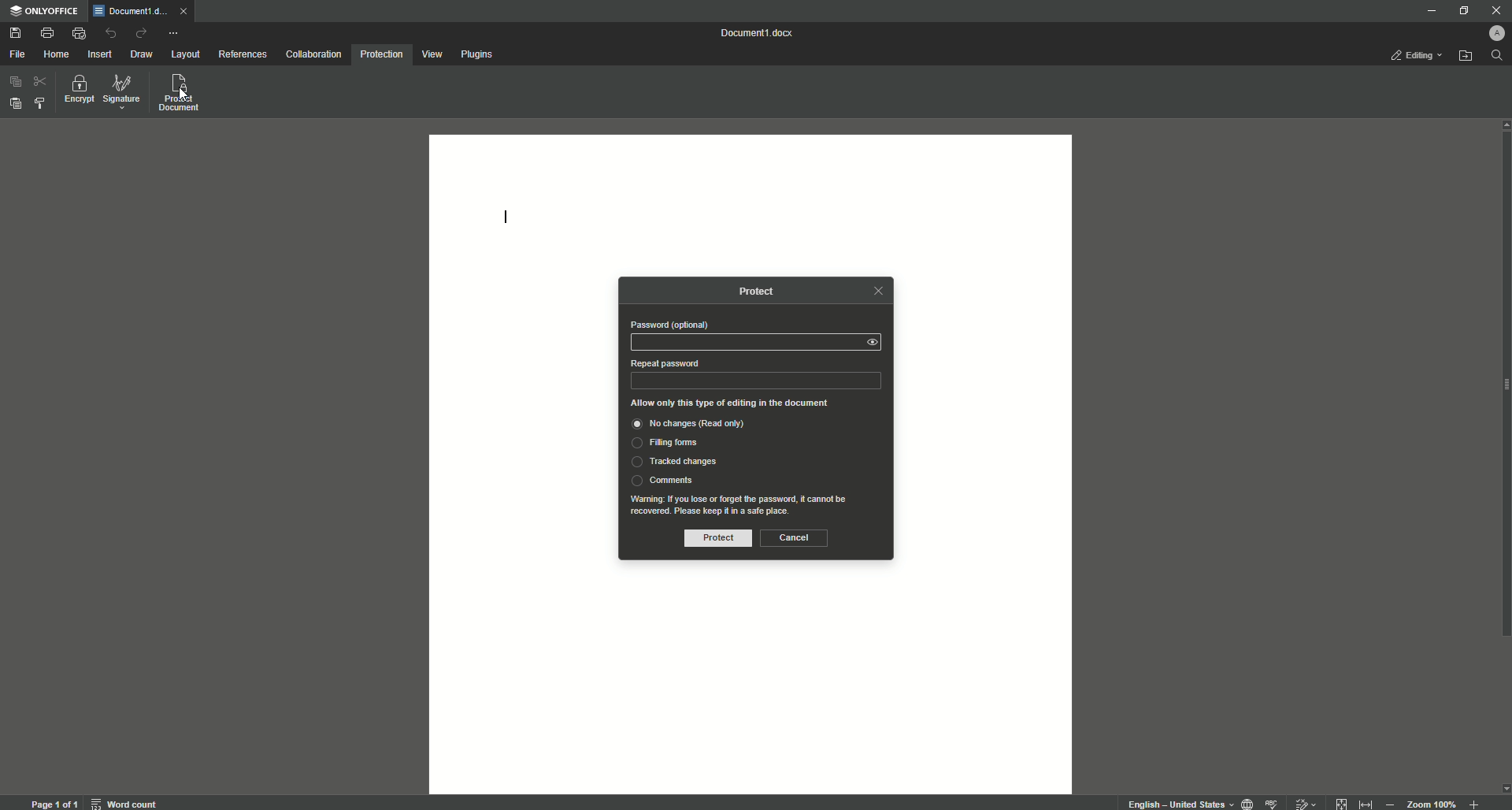 The height and width of the screenshot is (810, 1512). I want to click on Scroll, so click(1503, 422).